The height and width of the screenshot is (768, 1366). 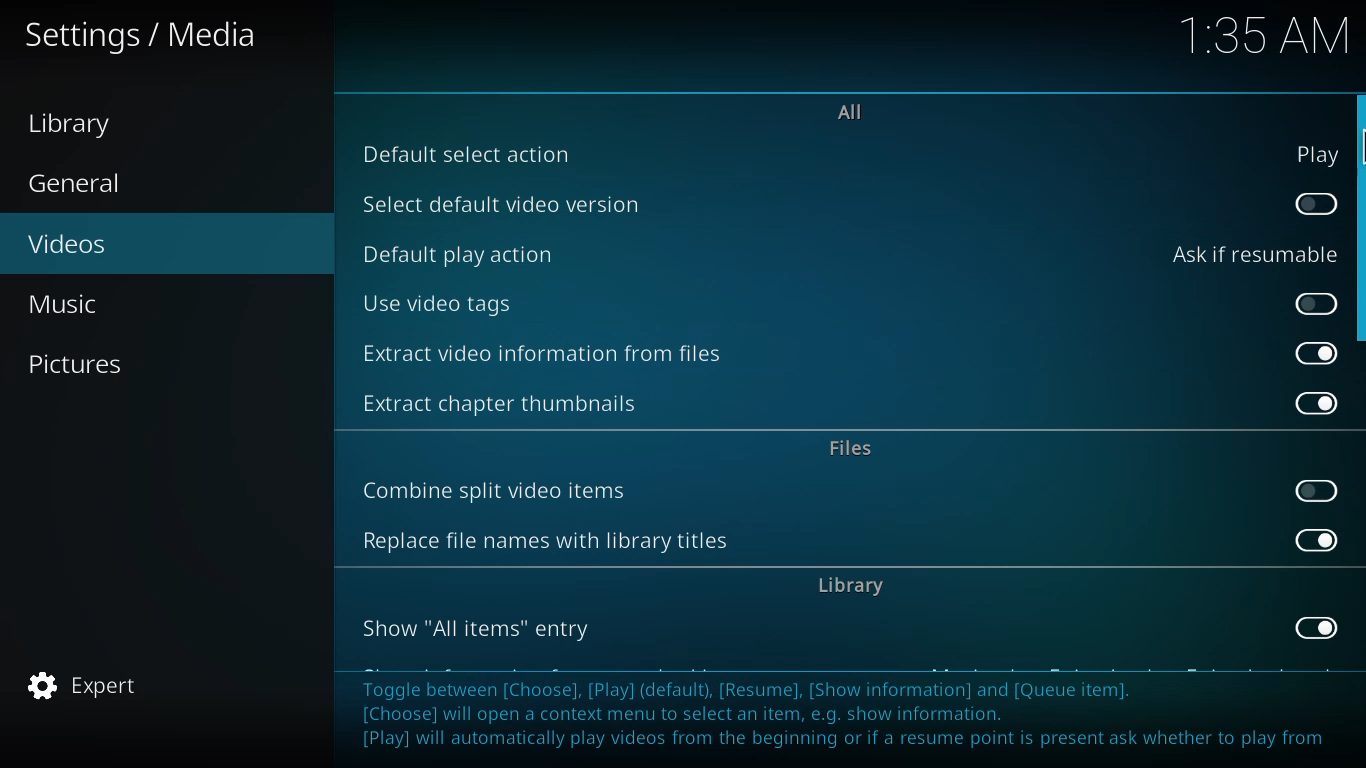 I want to click on info, so click(x=851, y=715).